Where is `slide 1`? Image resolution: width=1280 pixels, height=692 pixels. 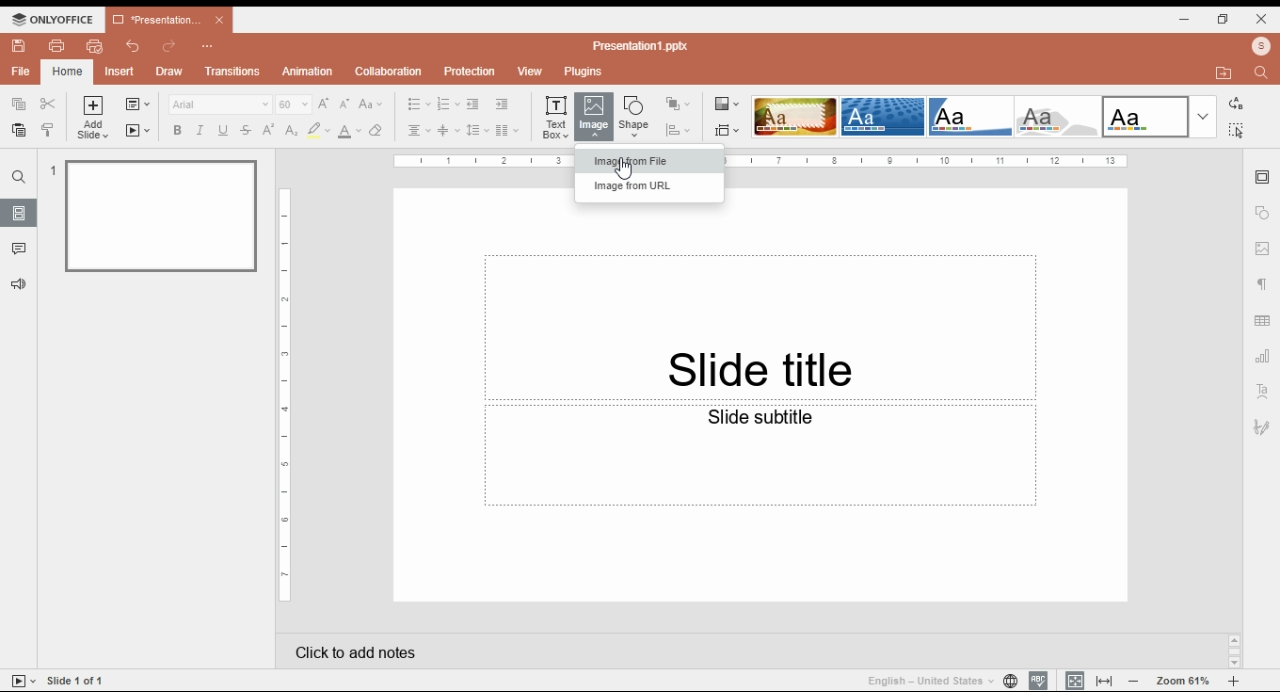 slide 1 is located at coordinates (155, 216).